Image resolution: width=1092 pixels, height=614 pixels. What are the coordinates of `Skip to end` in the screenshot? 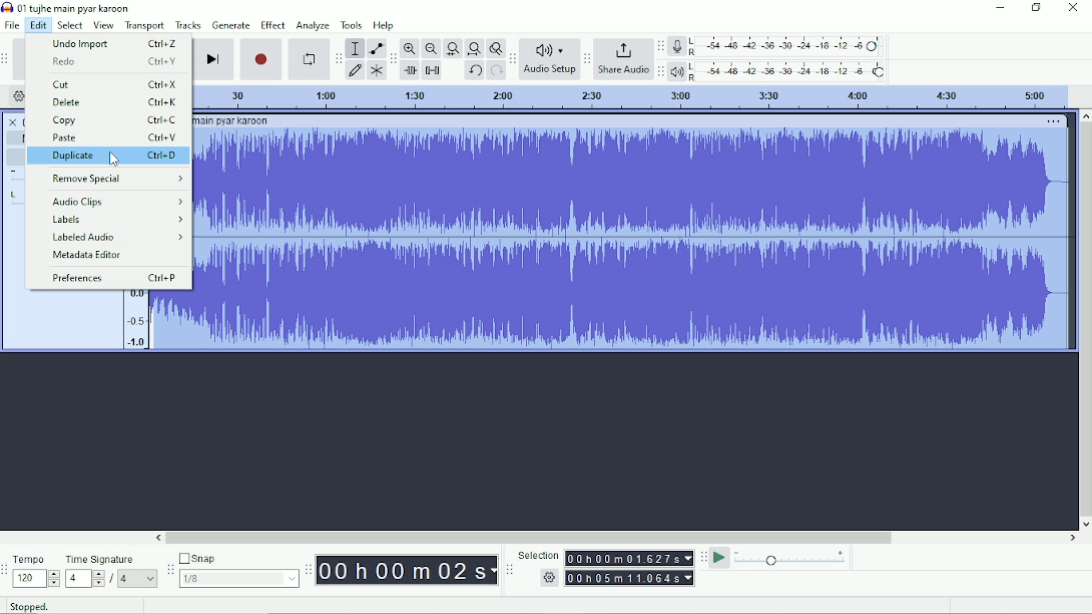 It's located at (213, 59).